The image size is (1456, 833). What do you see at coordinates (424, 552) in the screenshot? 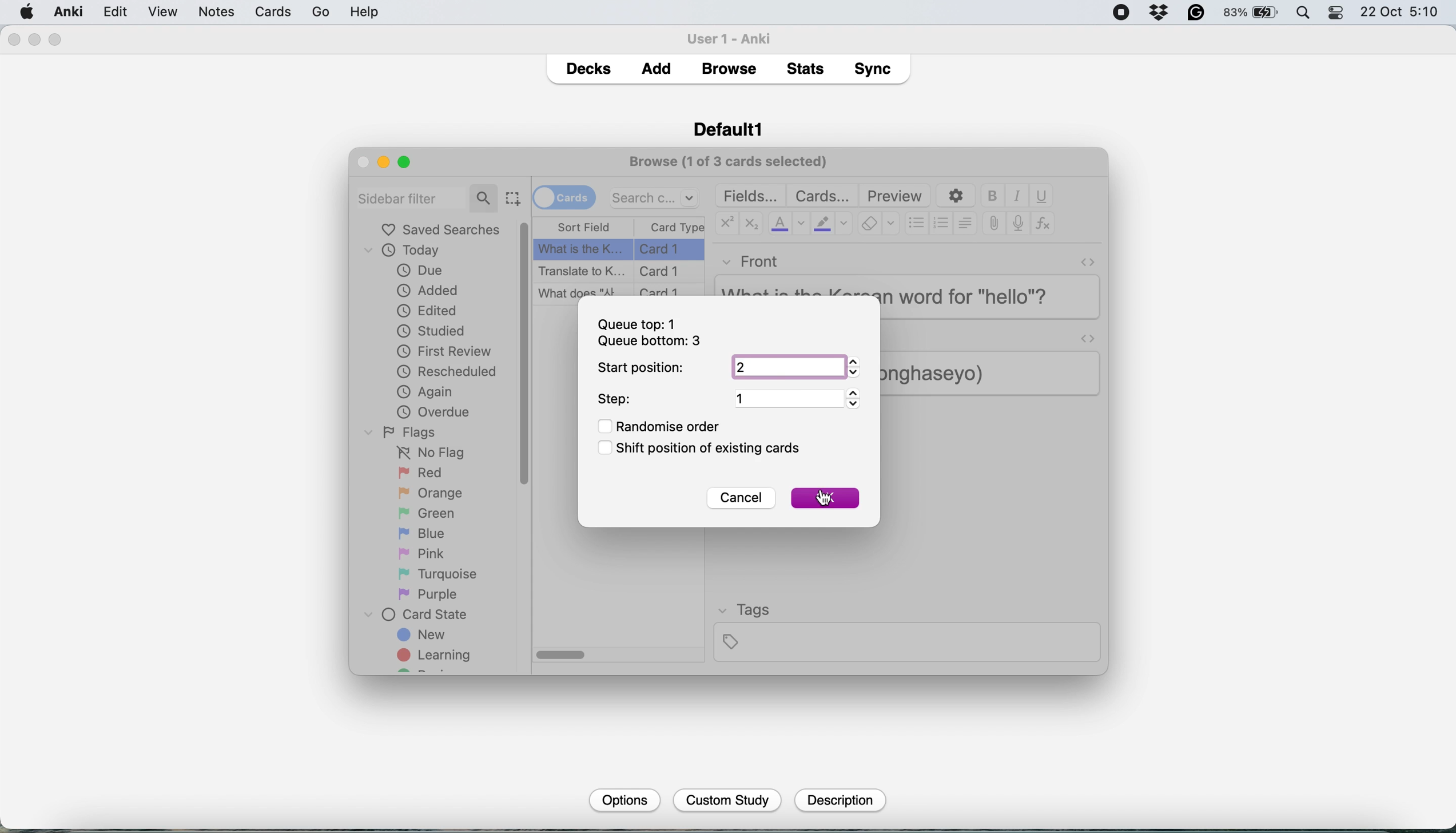
I see `pink` at bounding box center [424, 552].